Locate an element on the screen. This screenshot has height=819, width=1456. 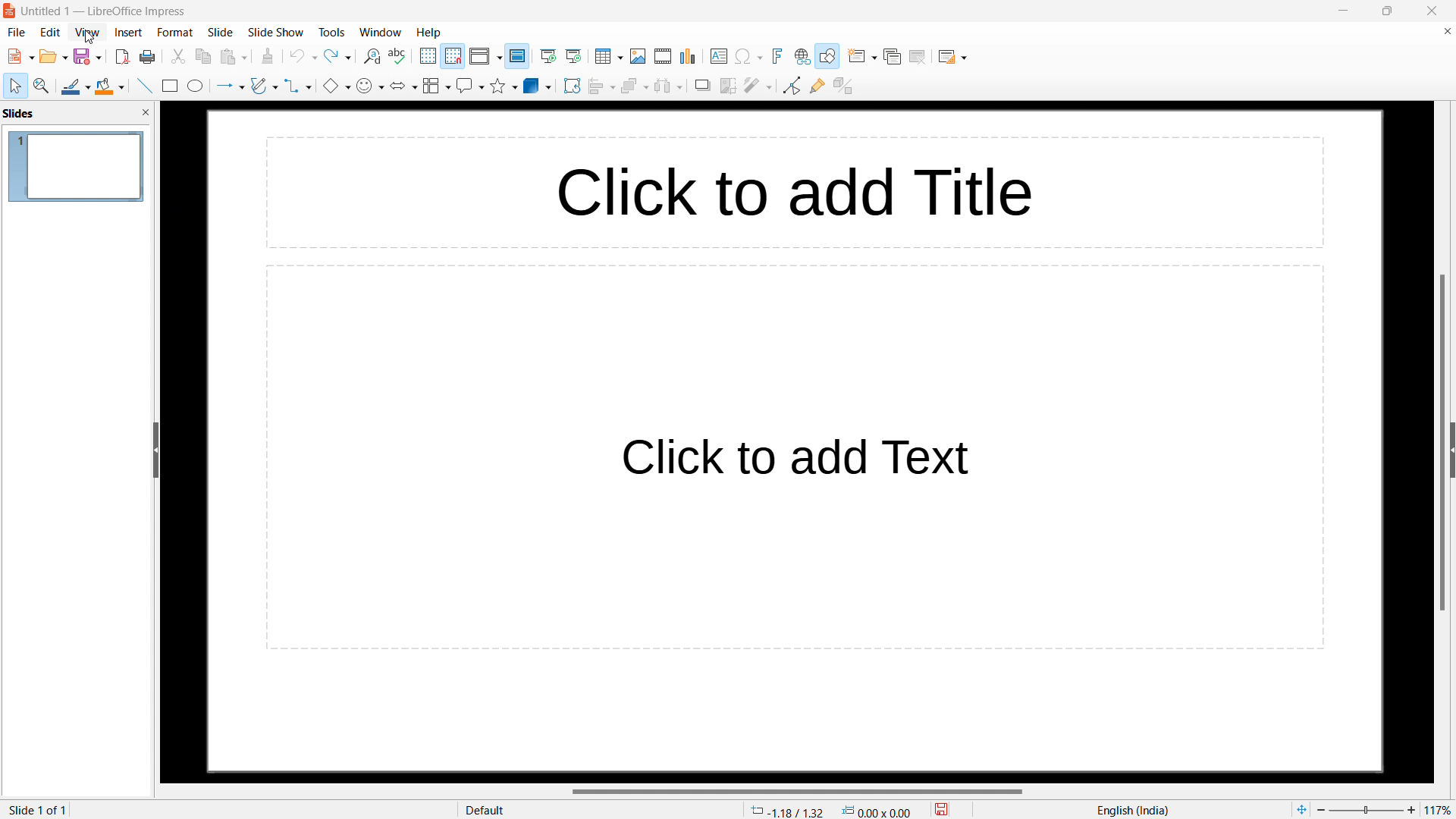
zoom and pan is located at coordinates (42, 85).